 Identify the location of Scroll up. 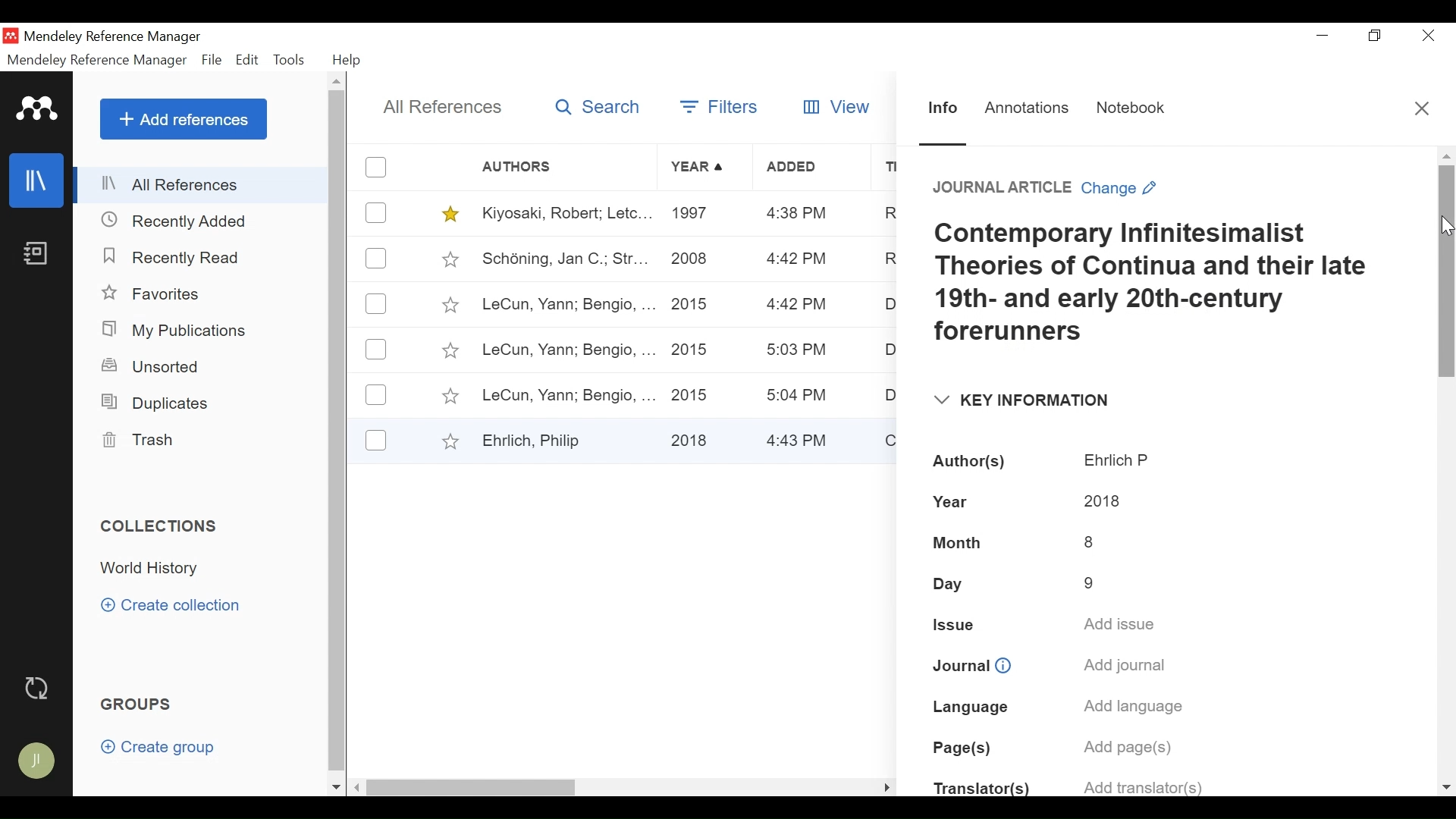
(337, 81).